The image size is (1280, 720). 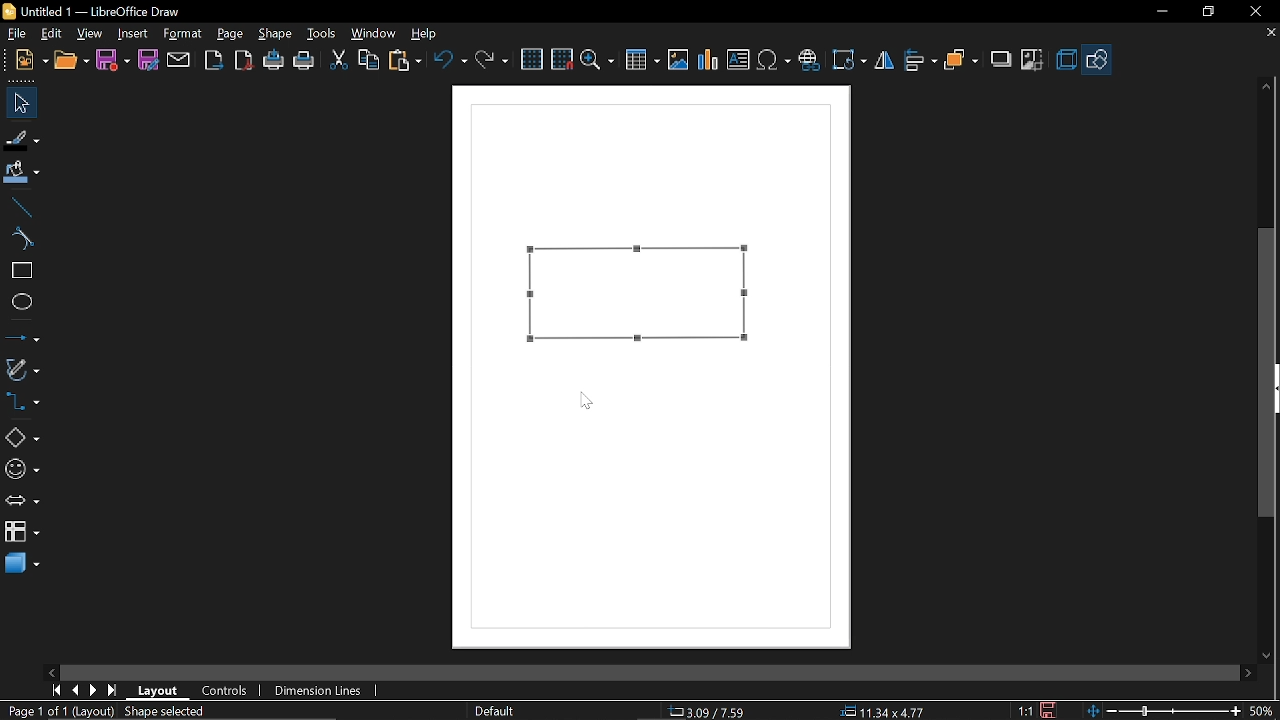 What do you see at coordinates (22, 501) in the screenshot?
I see `arrows` at bounding box center [22, 501].